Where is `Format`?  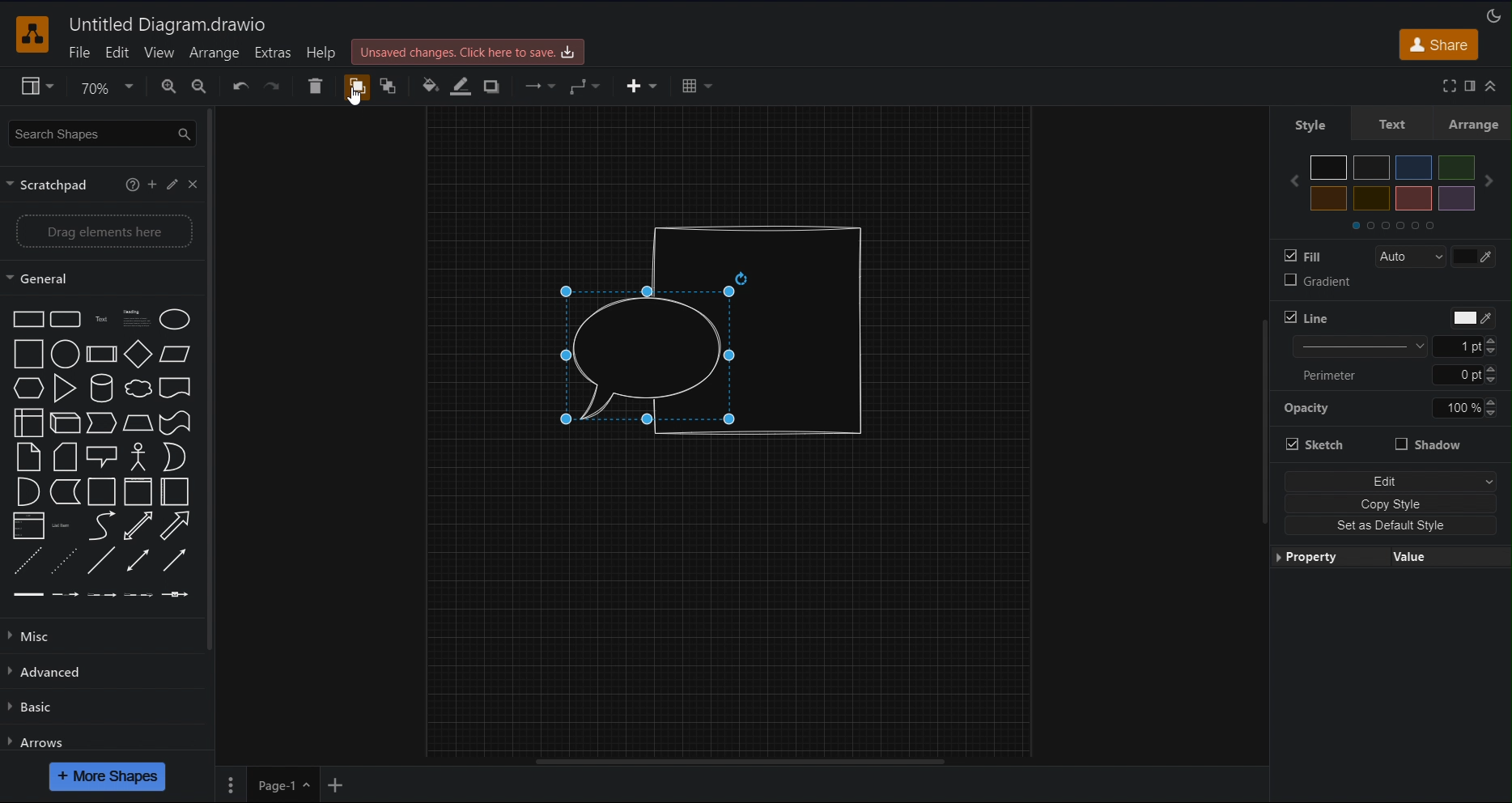
Format is located at coordinates (1471, 86).